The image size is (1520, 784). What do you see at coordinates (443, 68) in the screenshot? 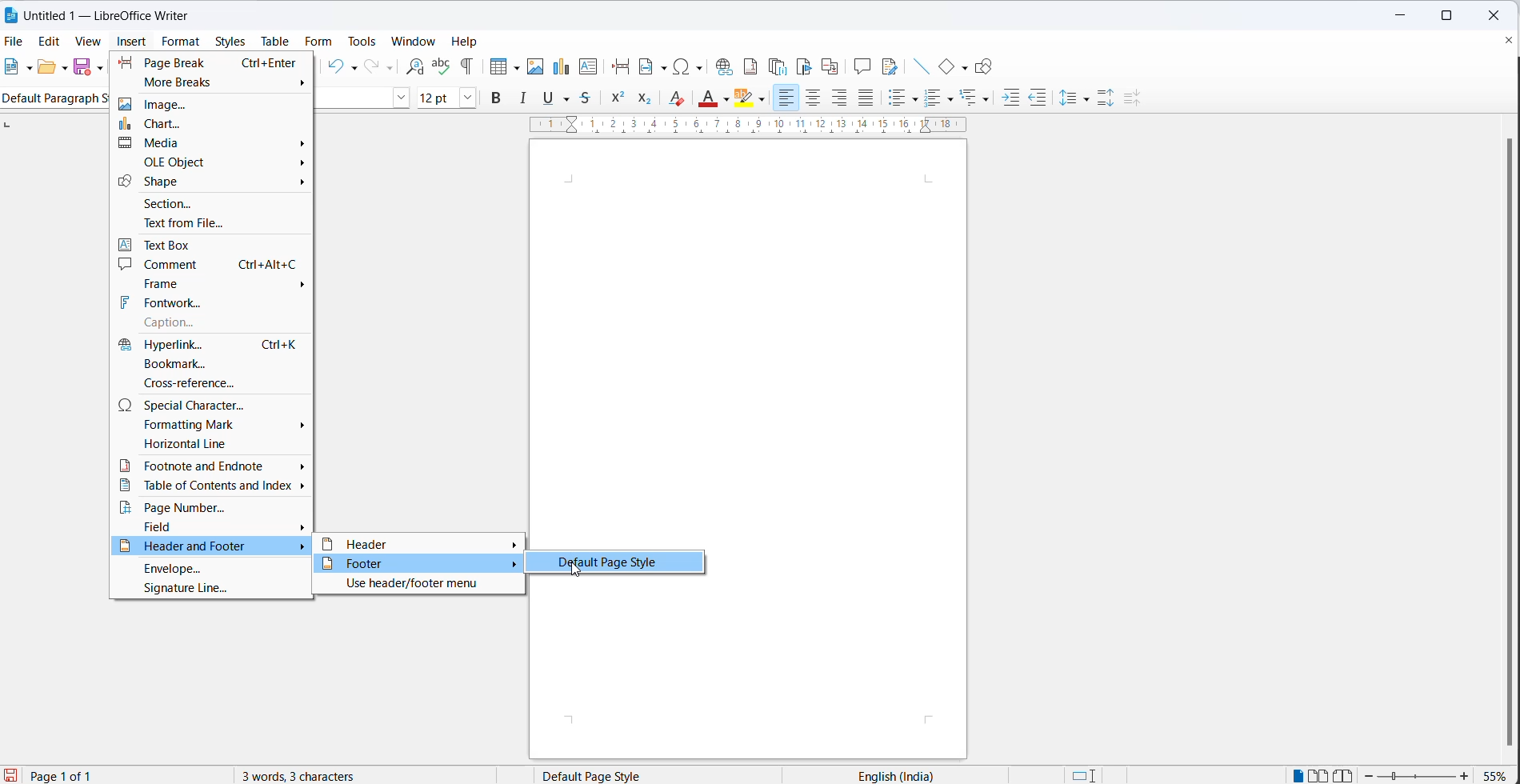
I see `spellings` at bounding box center [443, 68].